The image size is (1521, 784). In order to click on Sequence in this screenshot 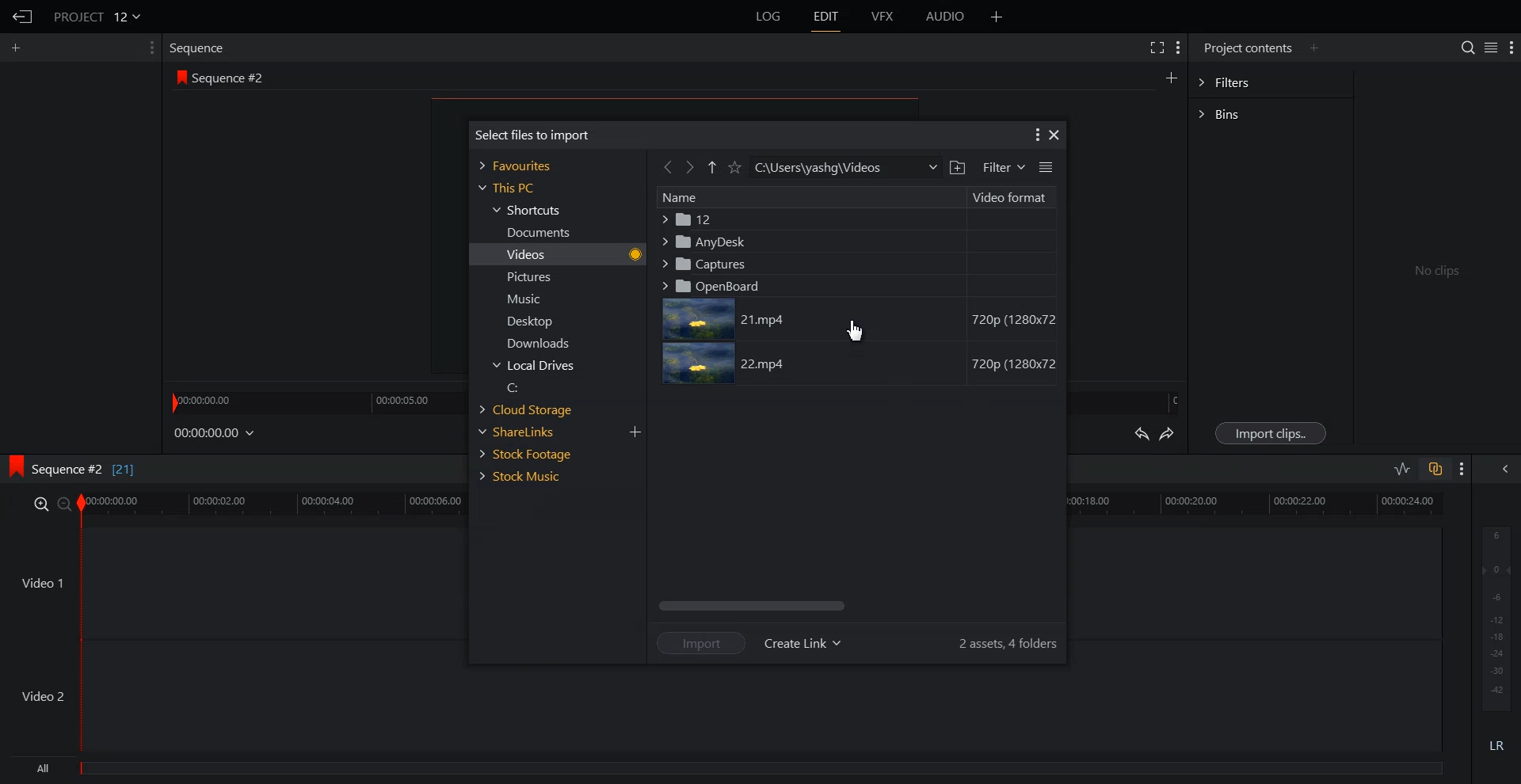, I will do `click(200, 47)`.